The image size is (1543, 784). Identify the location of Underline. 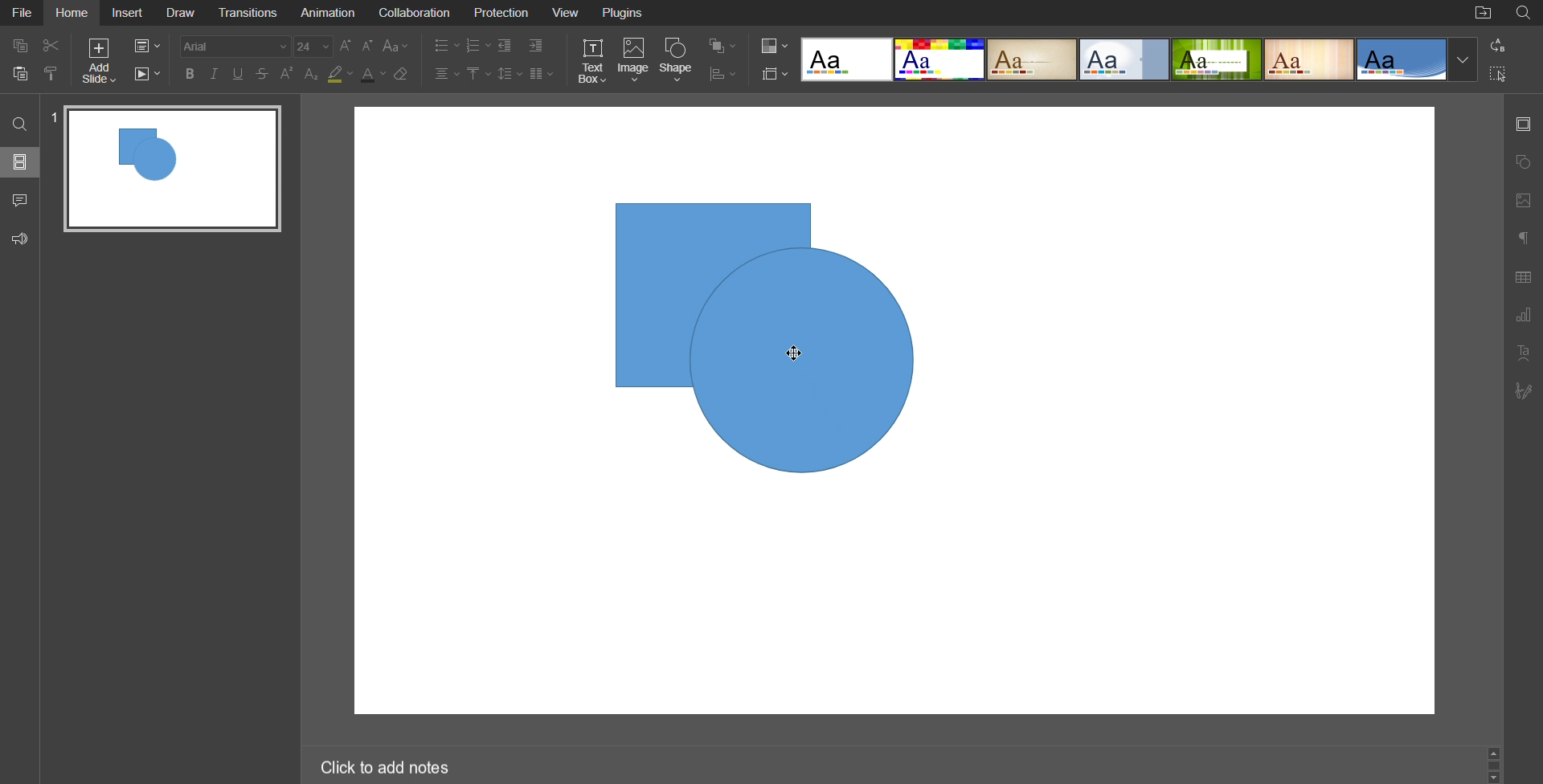
(239, 74).